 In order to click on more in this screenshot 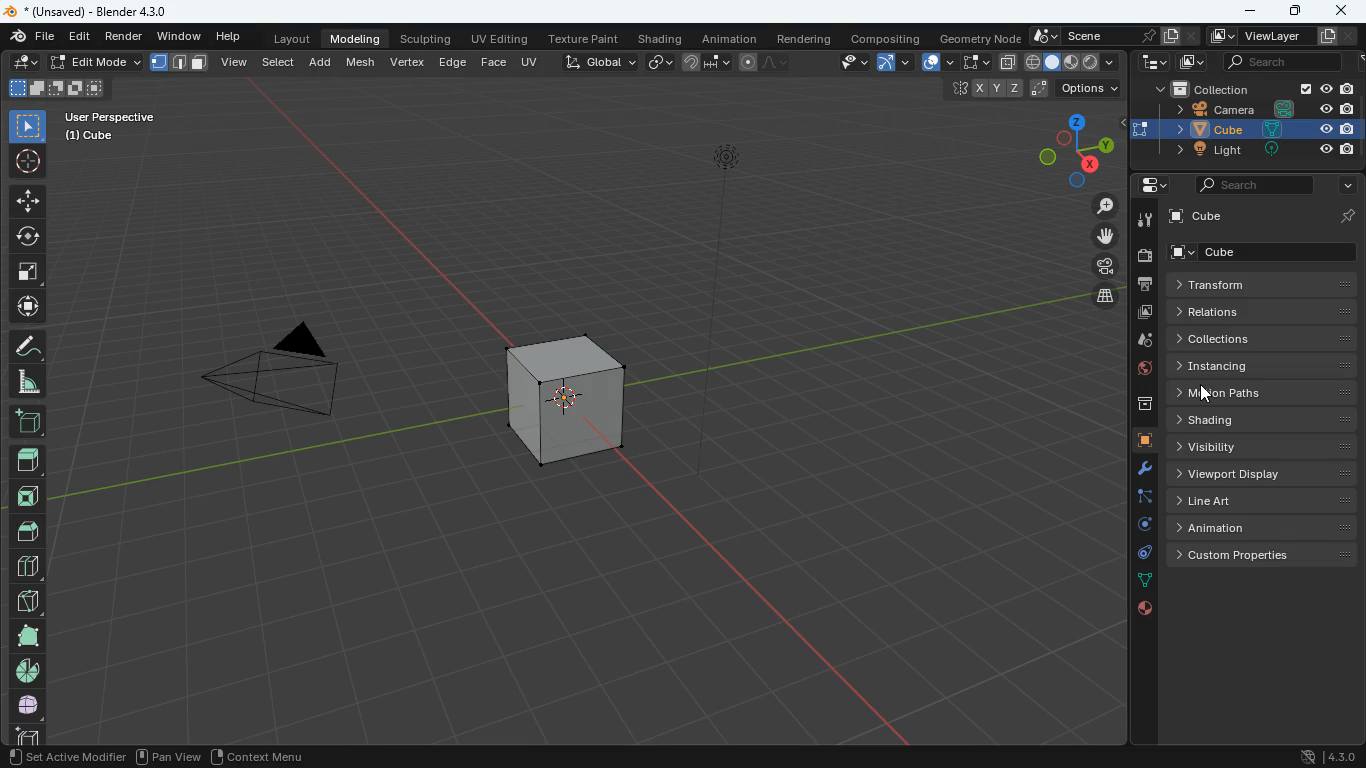, I will do `click(1343, 186)`.